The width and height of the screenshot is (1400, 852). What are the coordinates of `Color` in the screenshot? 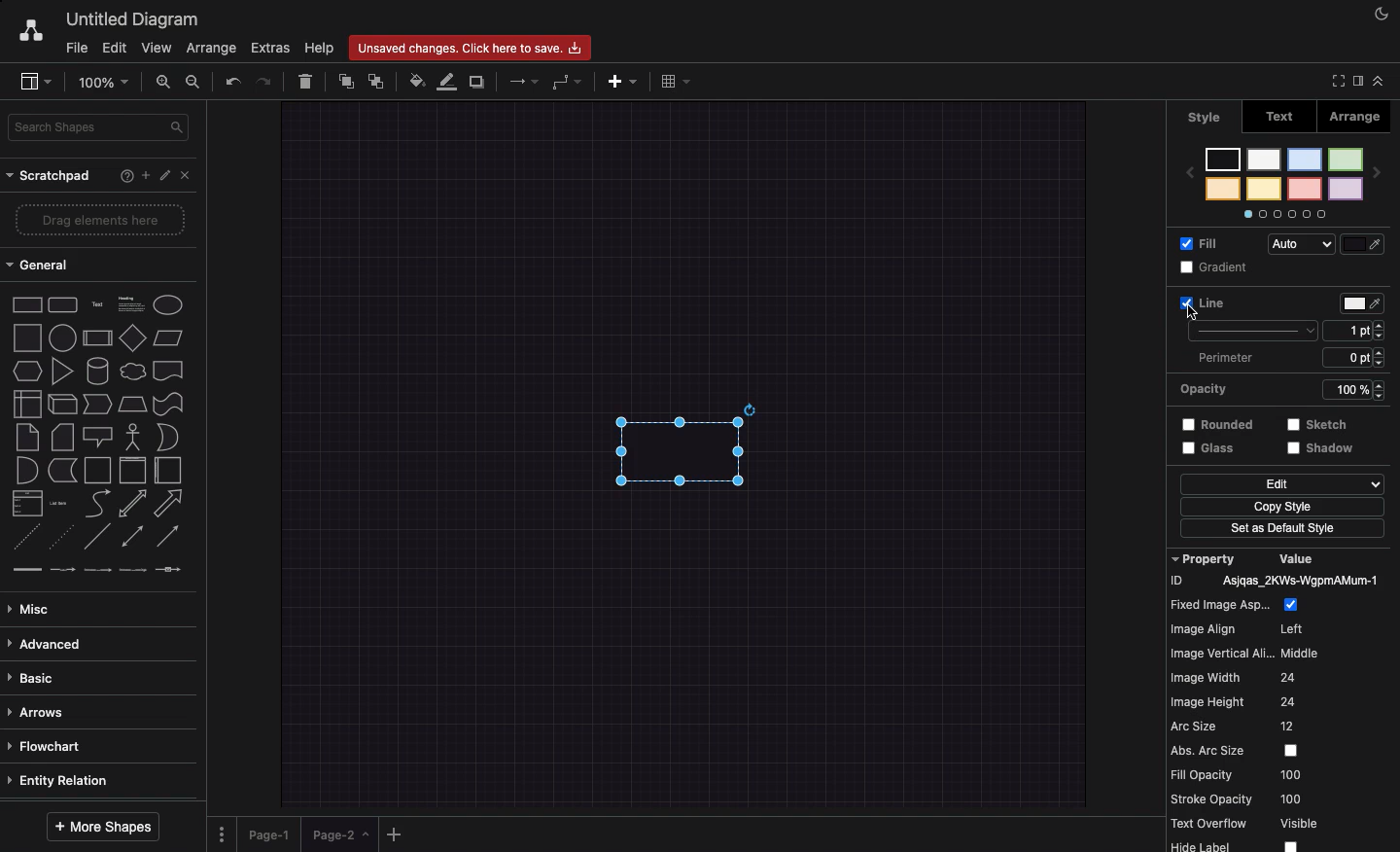 It's located at (1364, 303).